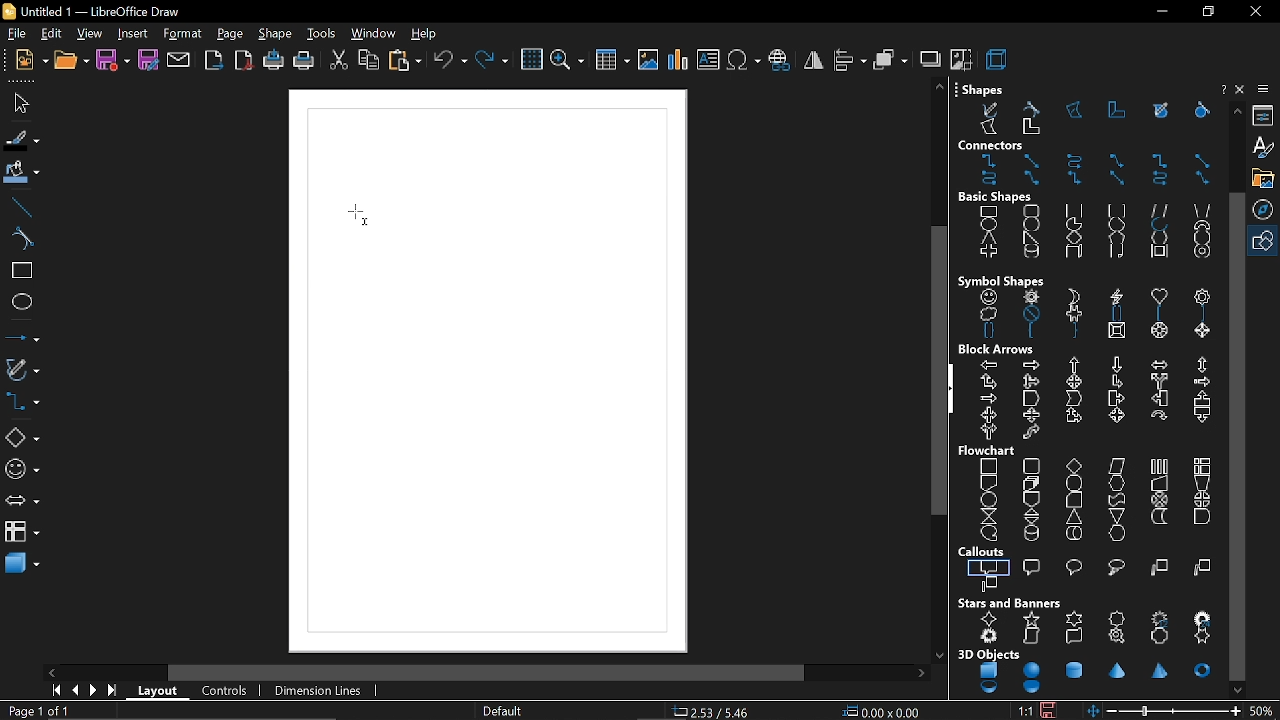 The height and width of the screenshot is (720, 1280). I want to click on extract, so click(1074, 517).